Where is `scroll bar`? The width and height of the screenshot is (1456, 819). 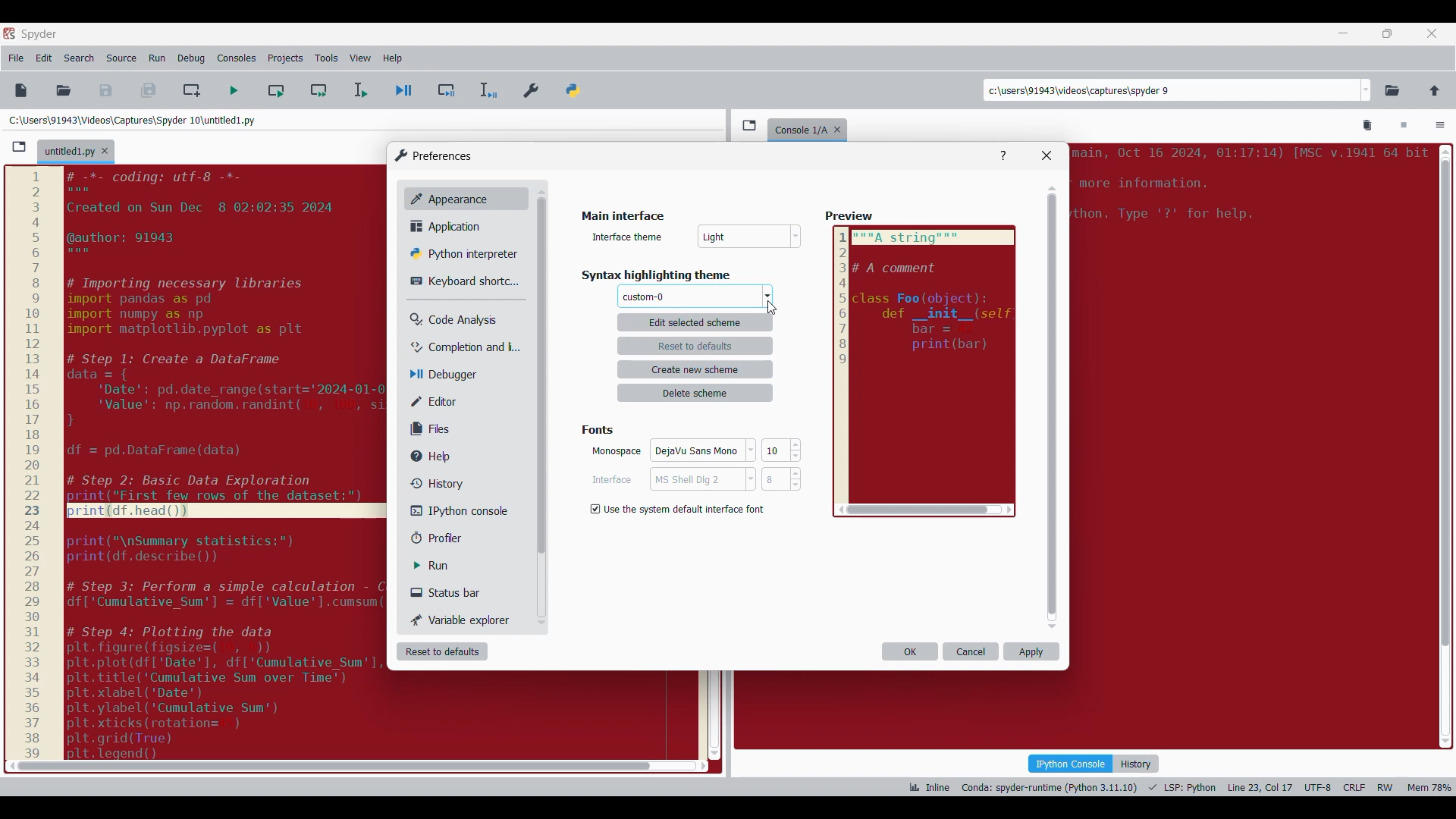
scroll bar is located at coordinates (1444, 442).